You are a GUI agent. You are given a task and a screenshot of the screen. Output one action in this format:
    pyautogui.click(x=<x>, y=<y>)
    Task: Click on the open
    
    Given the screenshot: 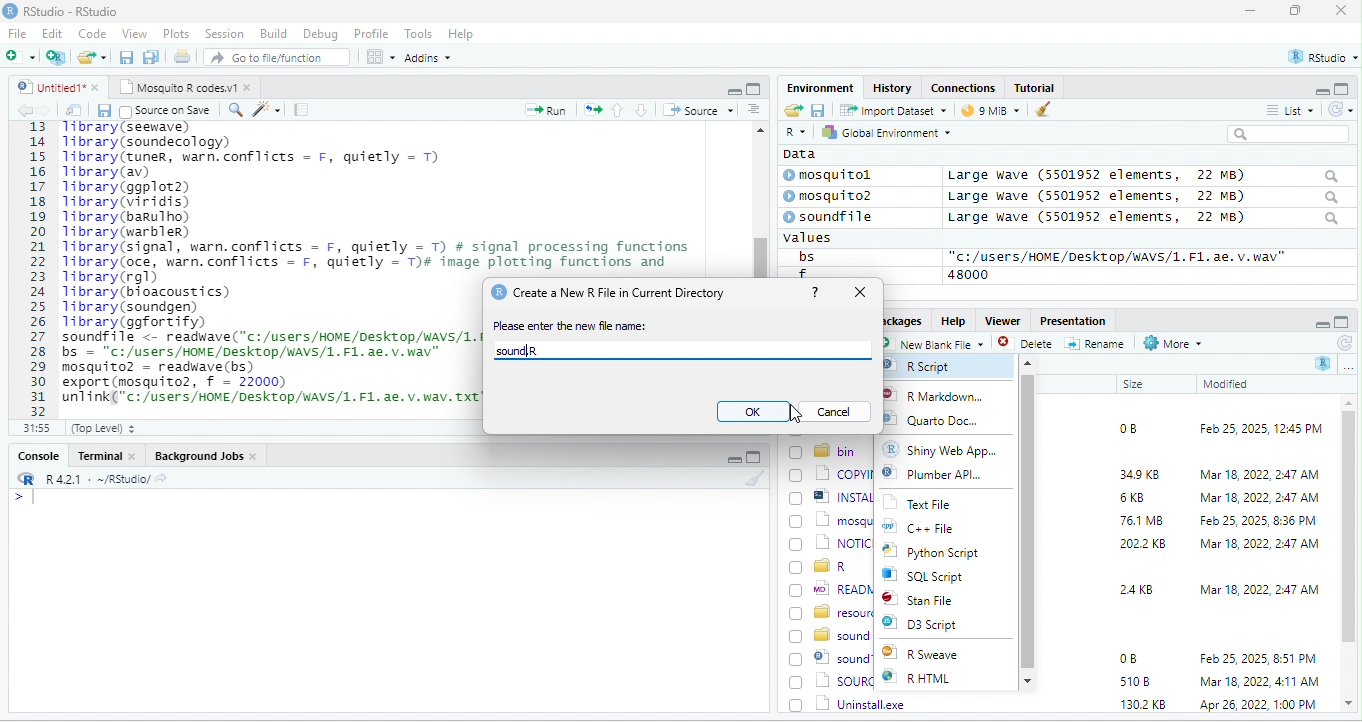 What is the action you would take?
    pyautogui.click(x=593, y=108)
    